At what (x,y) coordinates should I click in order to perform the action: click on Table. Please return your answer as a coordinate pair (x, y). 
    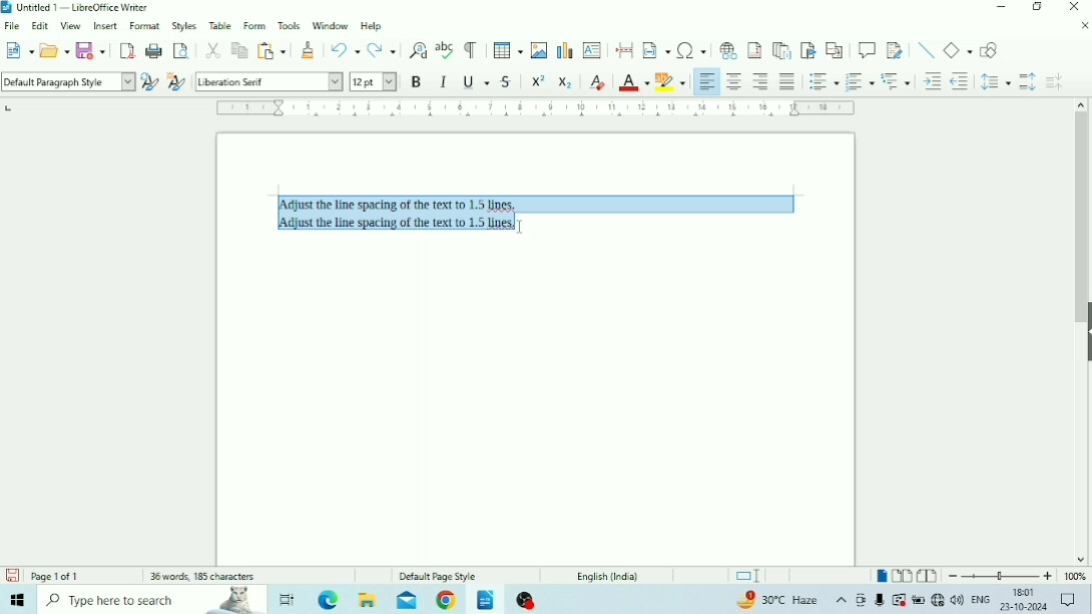
    Looking at the image, I should click on (221, 25).